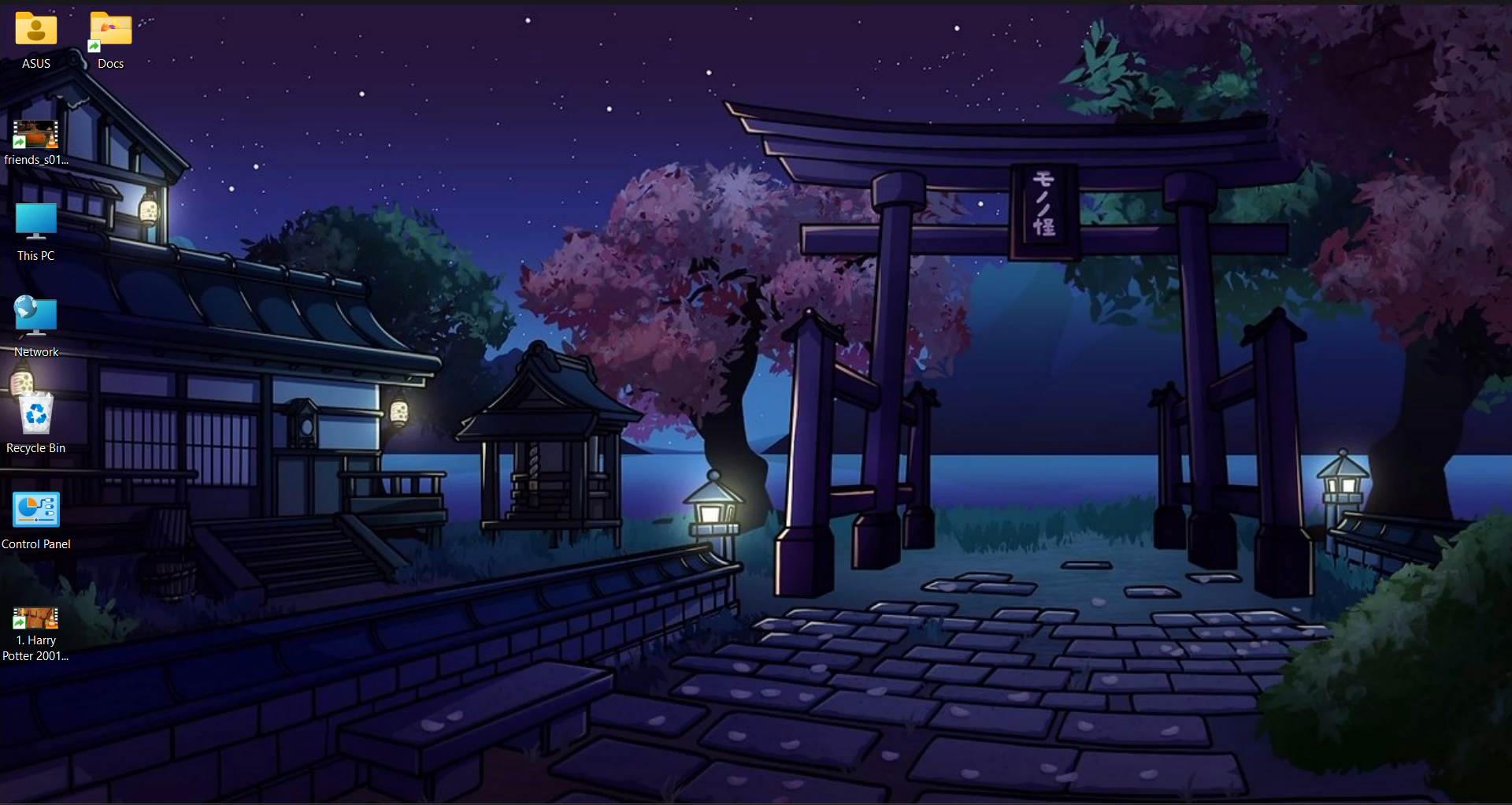 This screenshot has height=805, width=1512. I want to click on ASUS, so click(34, 43).